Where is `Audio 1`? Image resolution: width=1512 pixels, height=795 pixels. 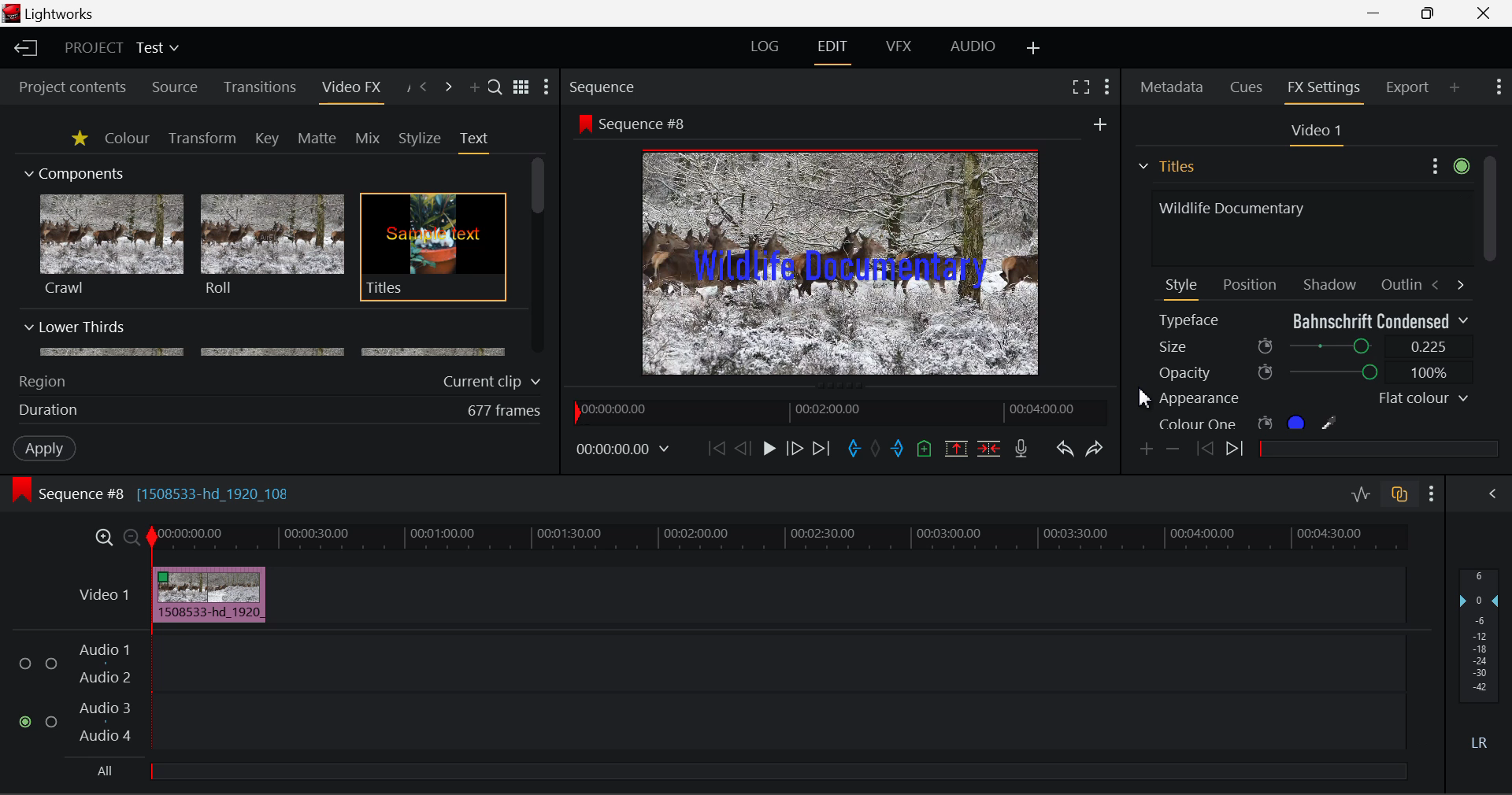
Audio 1 is located at coordinates (102, 652).